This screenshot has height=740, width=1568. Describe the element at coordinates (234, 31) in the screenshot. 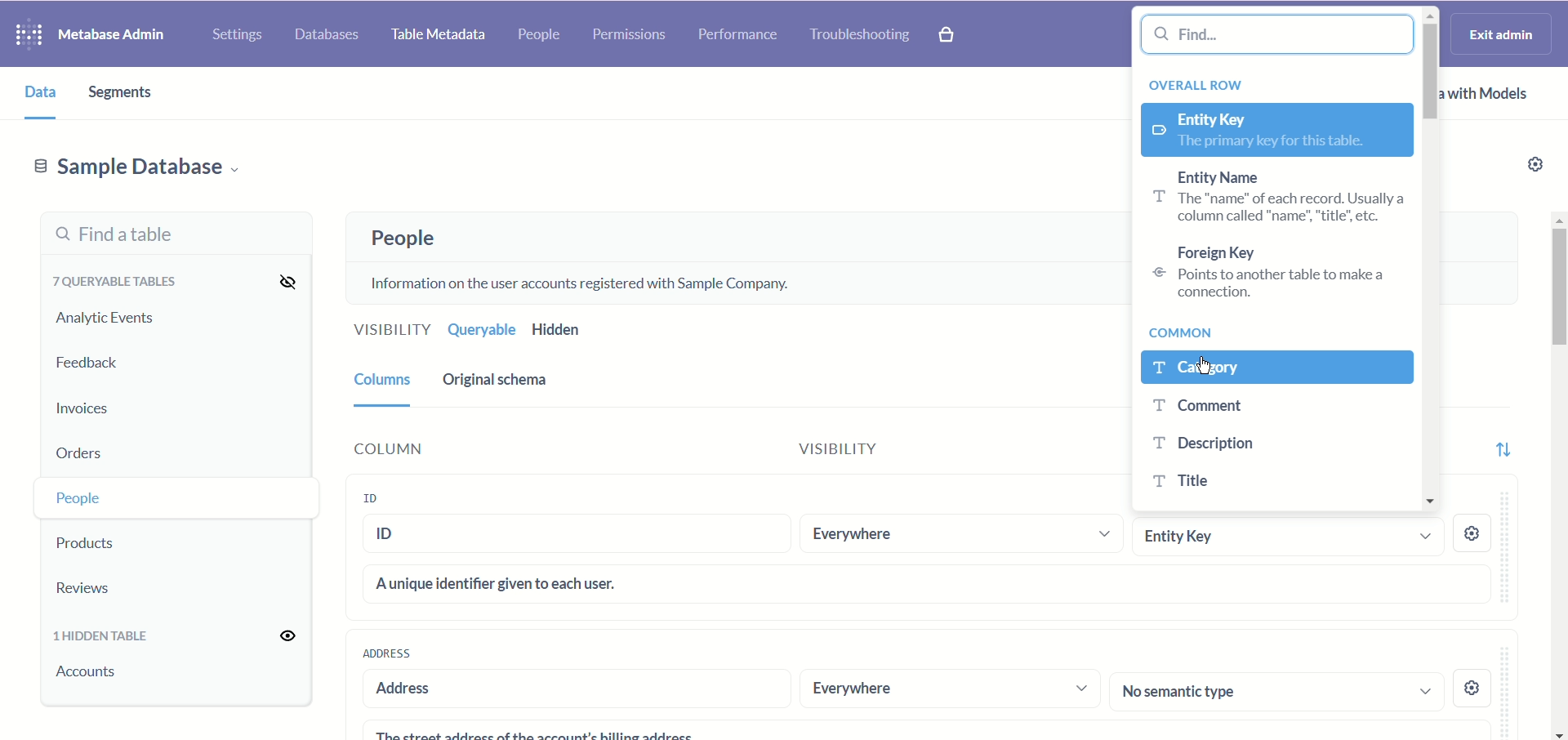

I see `Settings` at that location.